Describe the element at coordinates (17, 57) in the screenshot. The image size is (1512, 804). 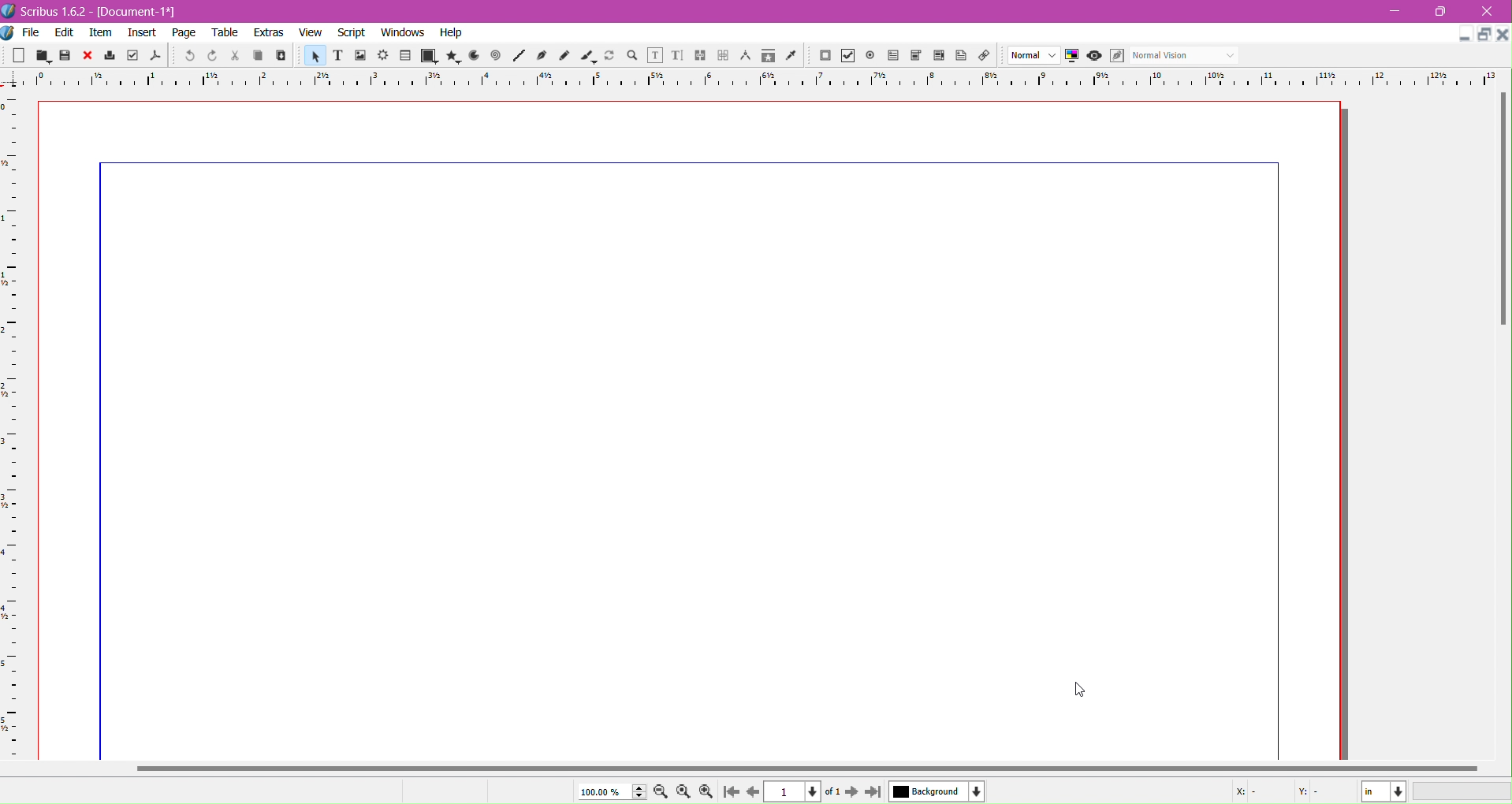
I see `new` at that location.